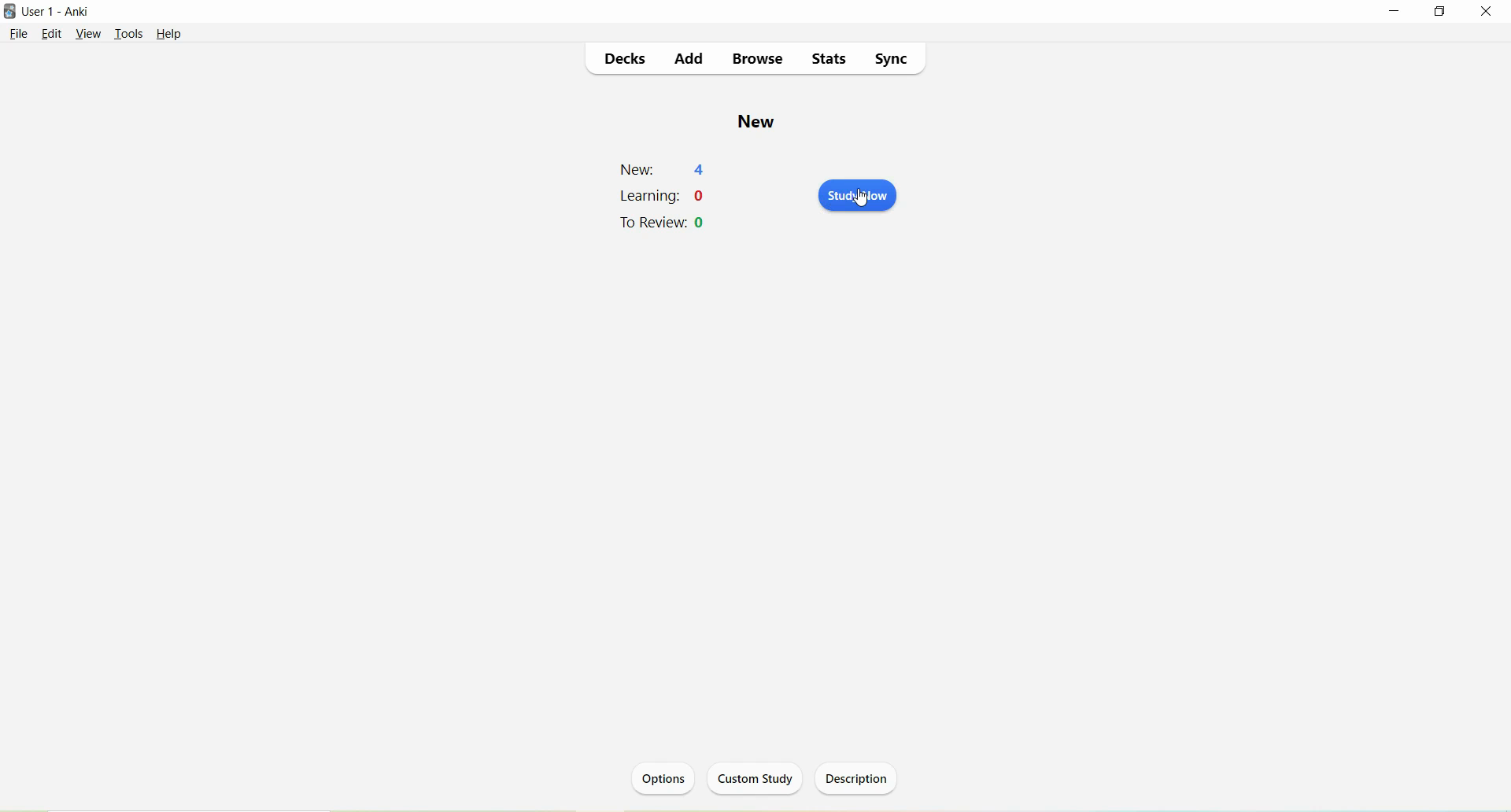  I want to click on File, so click(20, 34).